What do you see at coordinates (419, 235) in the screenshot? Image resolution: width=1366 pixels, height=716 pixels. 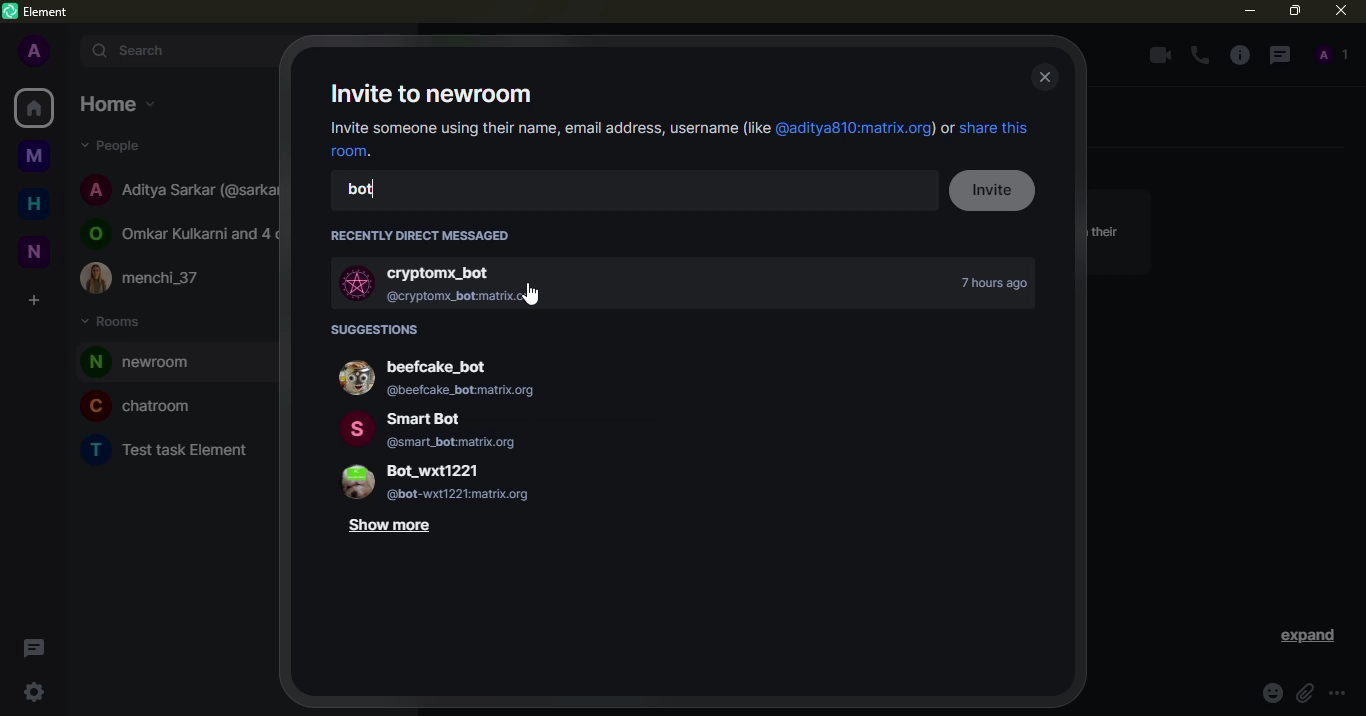 I see `recently direct messaged` at bounding box center [419, 235].